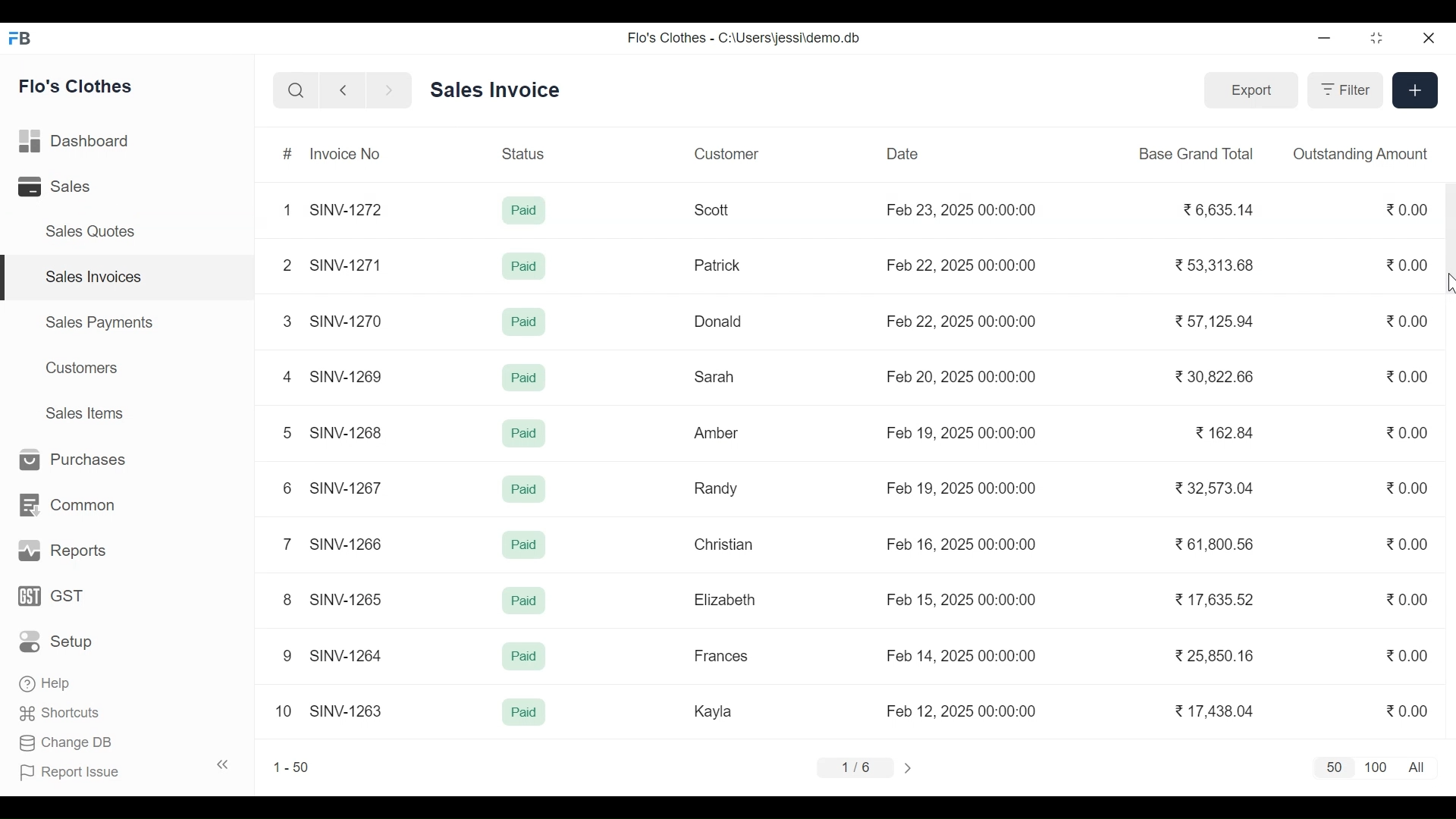 The image size is (1456, 819). Describe the element at coordinates (1216, 488) in the screenshot. I see `32,573.04` at that location.